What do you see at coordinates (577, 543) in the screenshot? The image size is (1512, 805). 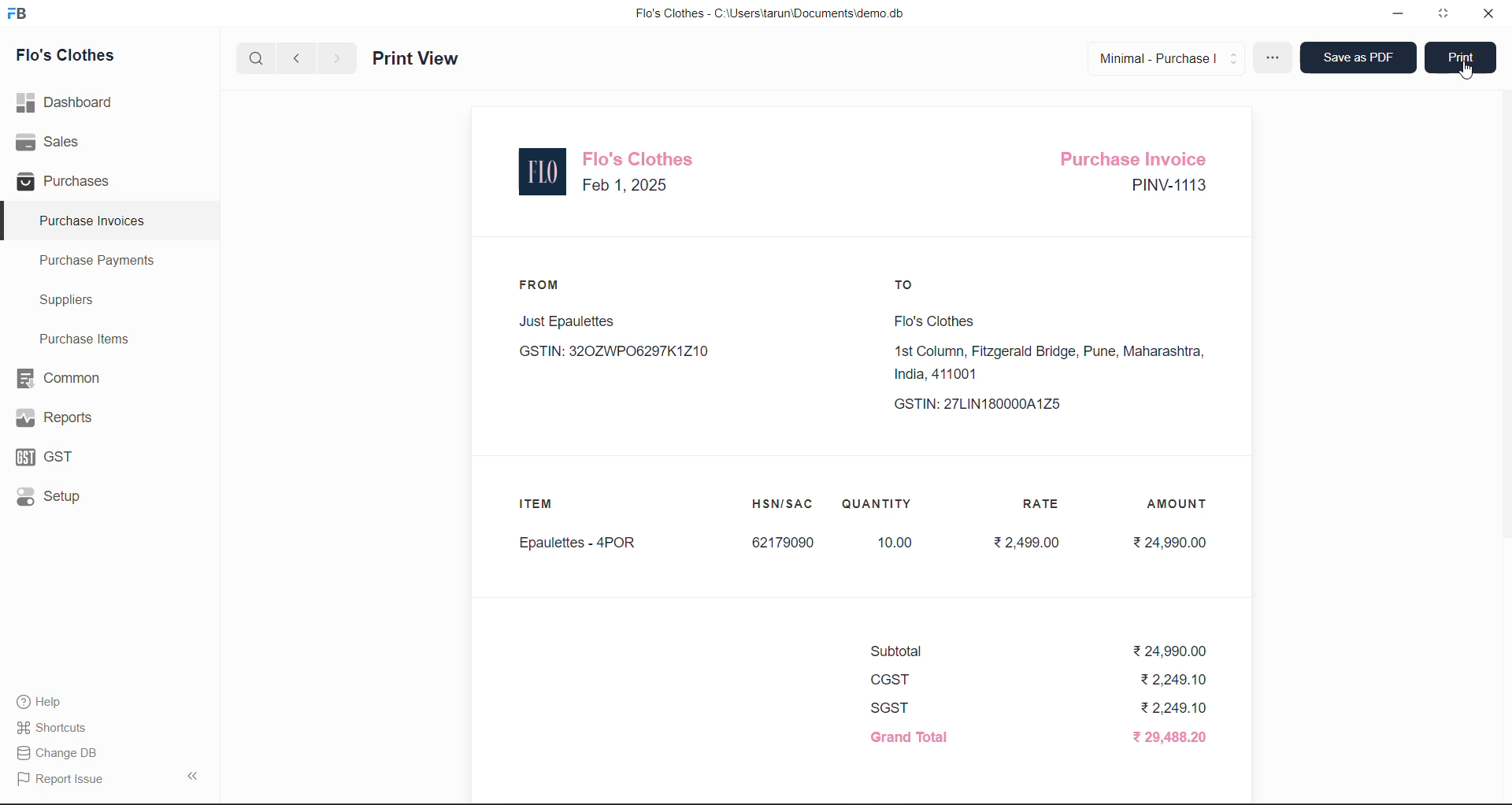 I see `Epaulettes - 4POR` at bounding box center [577, 543].